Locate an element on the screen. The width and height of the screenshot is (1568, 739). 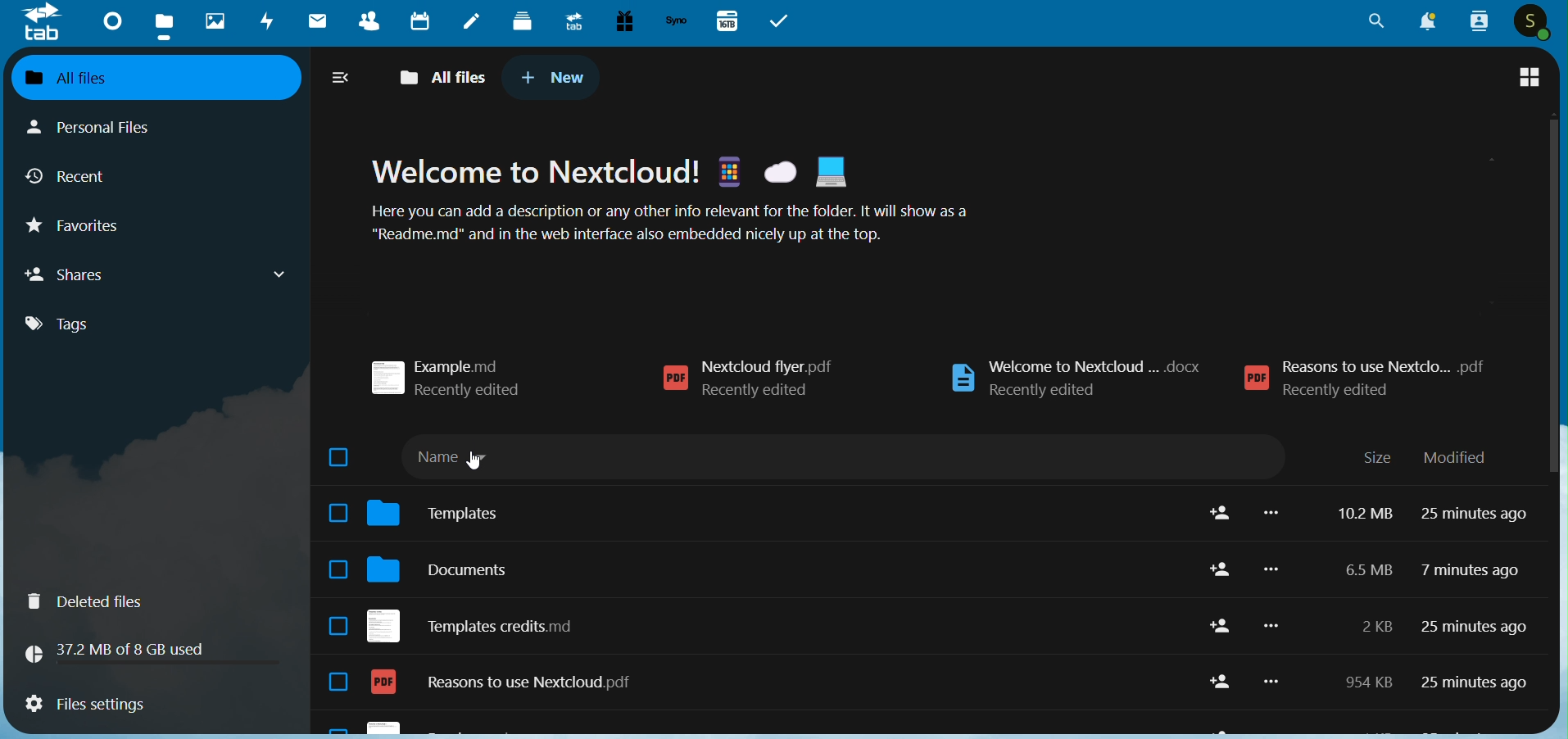
New is located at coordinates (553, 78).